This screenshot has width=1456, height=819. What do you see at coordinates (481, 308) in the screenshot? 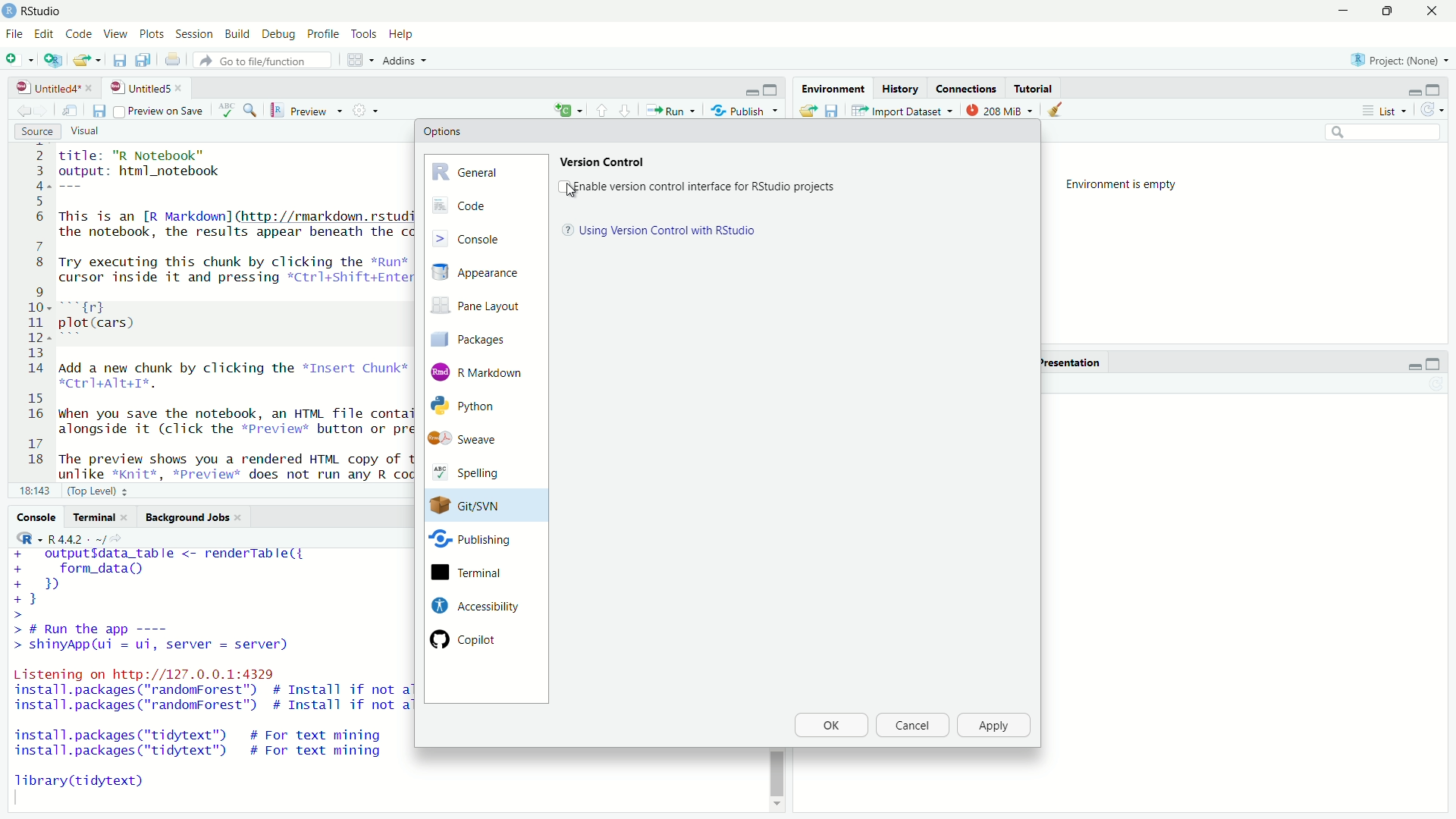
I see `Pane Layout` at bounding box center [481, 308].